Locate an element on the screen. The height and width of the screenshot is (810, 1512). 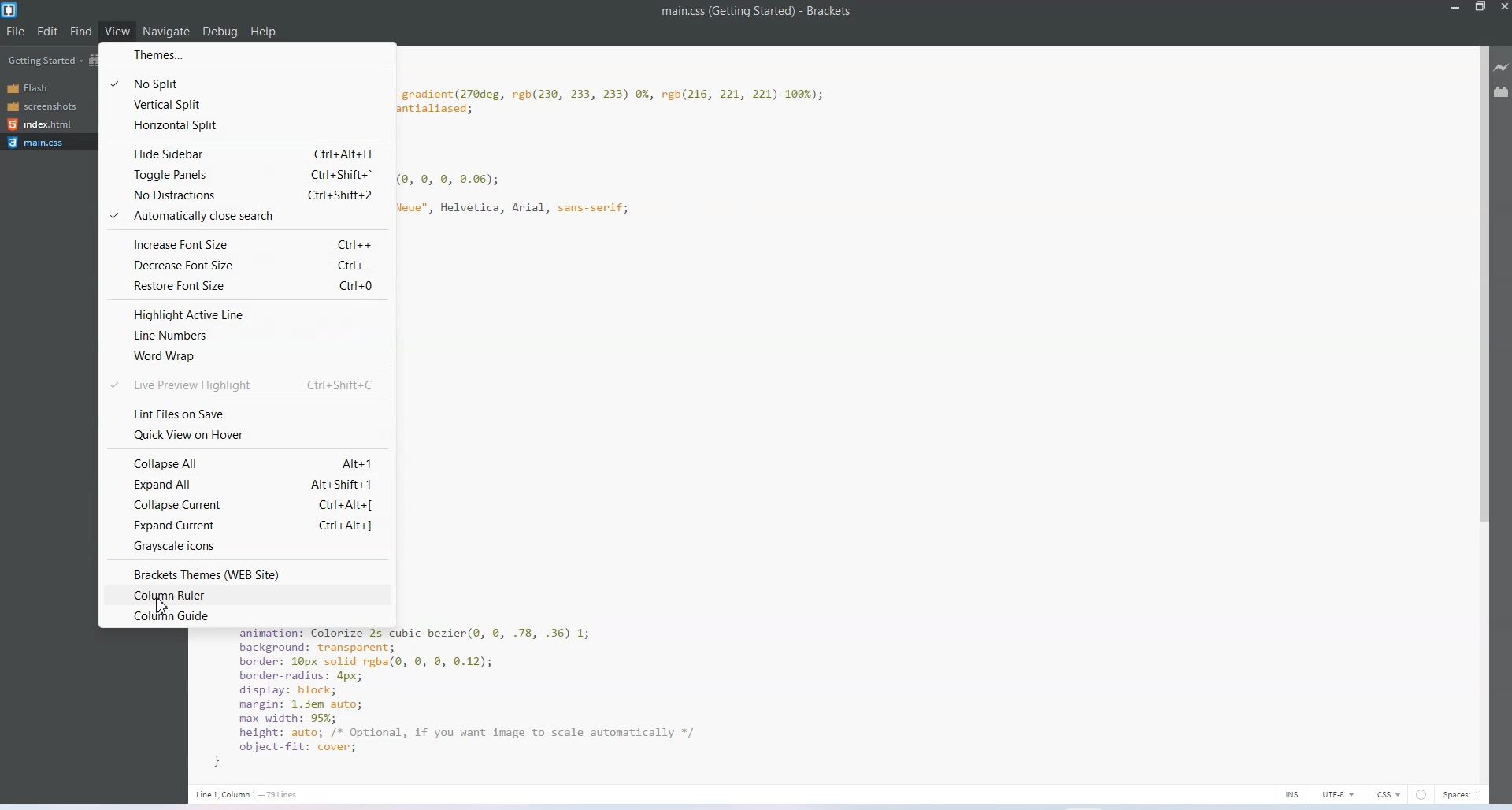
Edit is located at coordinates (48, 31).